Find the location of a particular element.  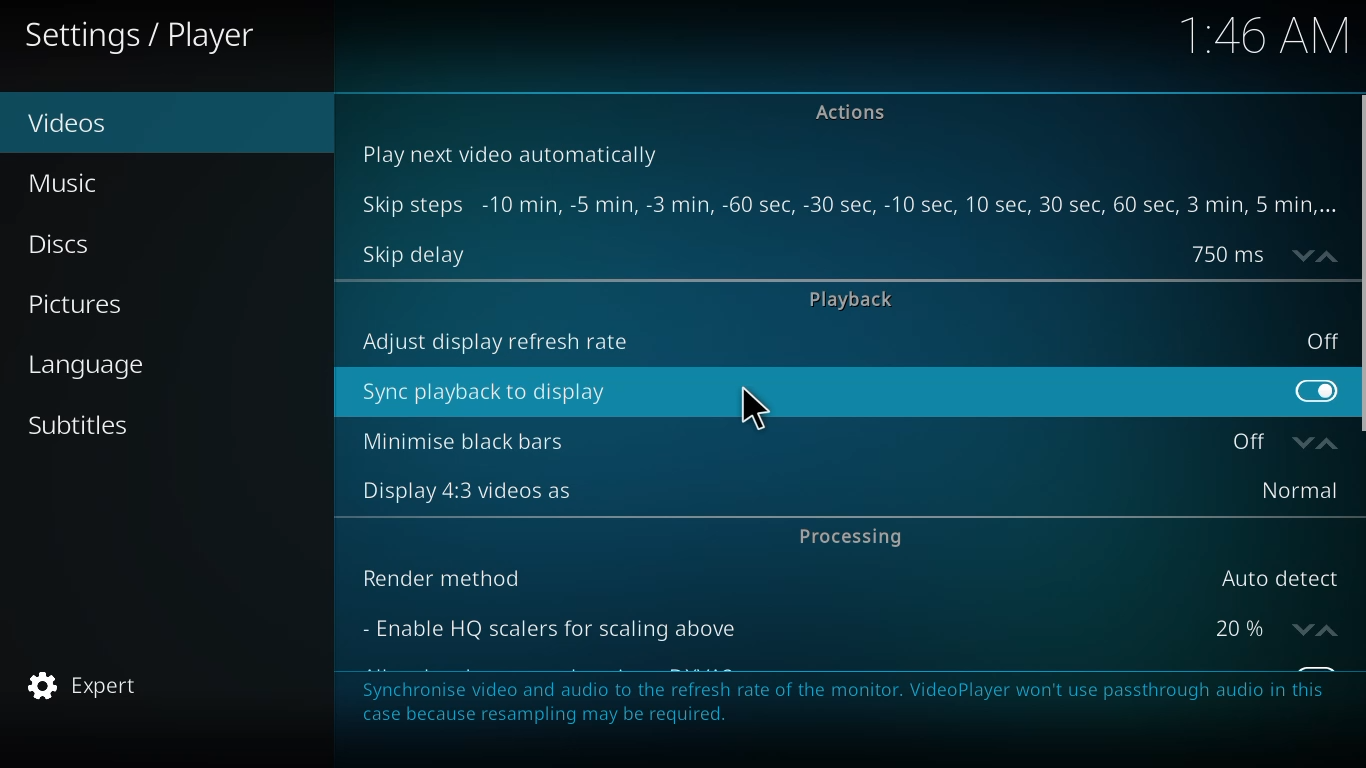

time is located at coordinates (1259, 34).